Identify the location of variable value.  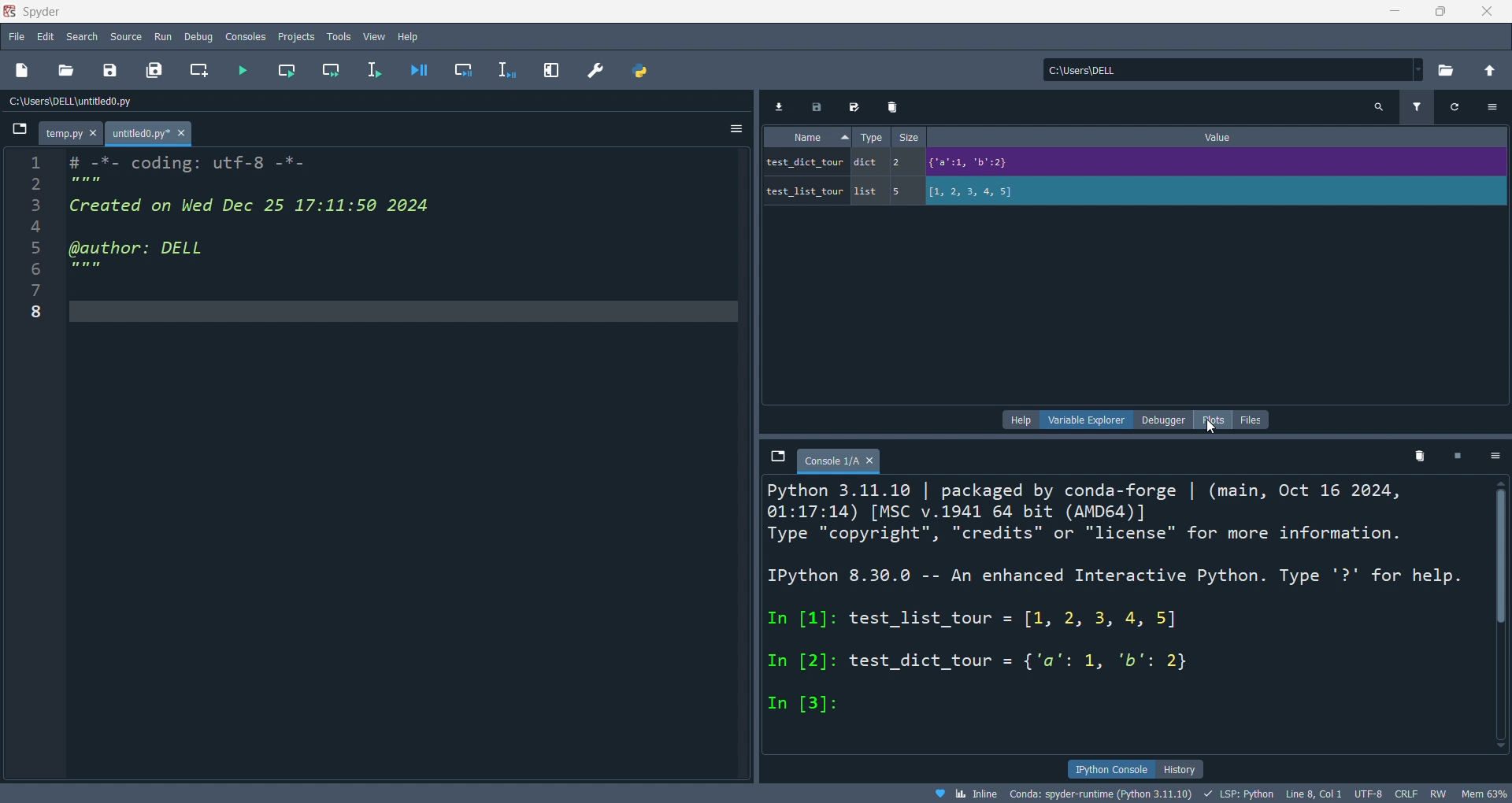
(973, 193).